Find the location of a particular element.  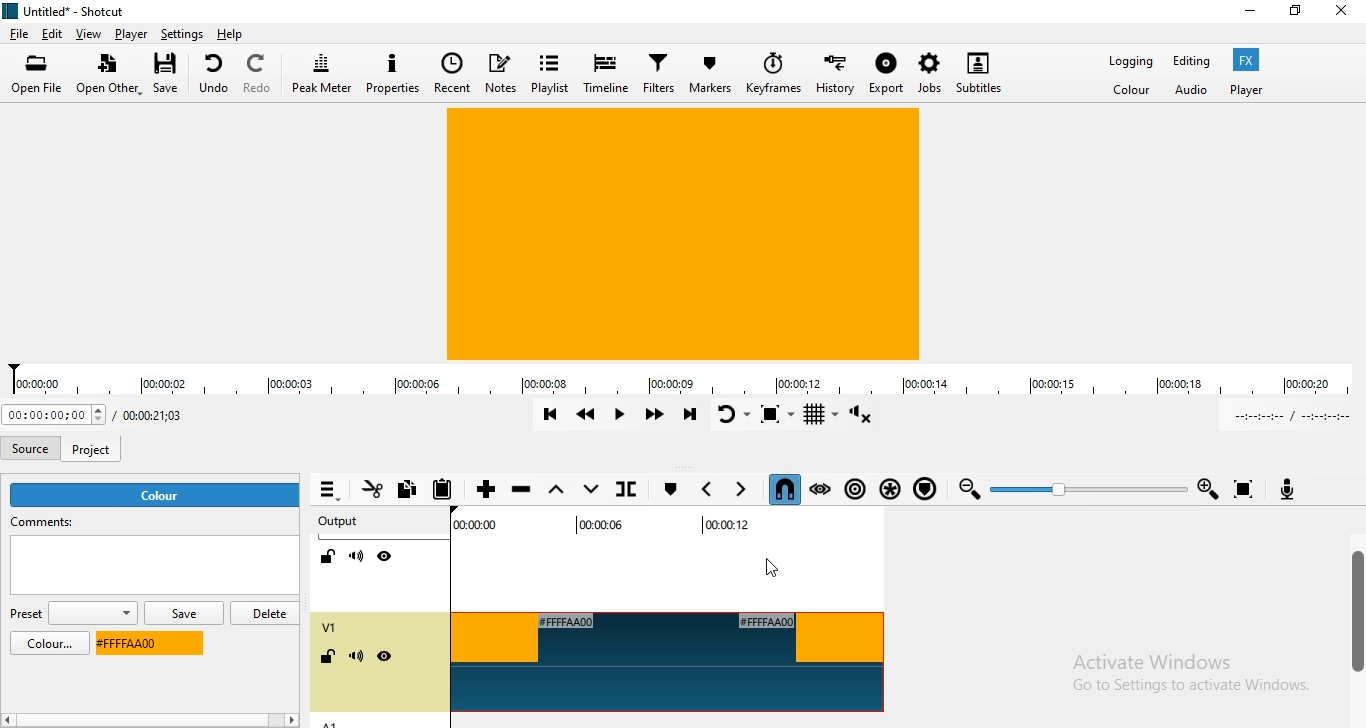

Zoom timeline to fit is located at coordinates (1243, 489).